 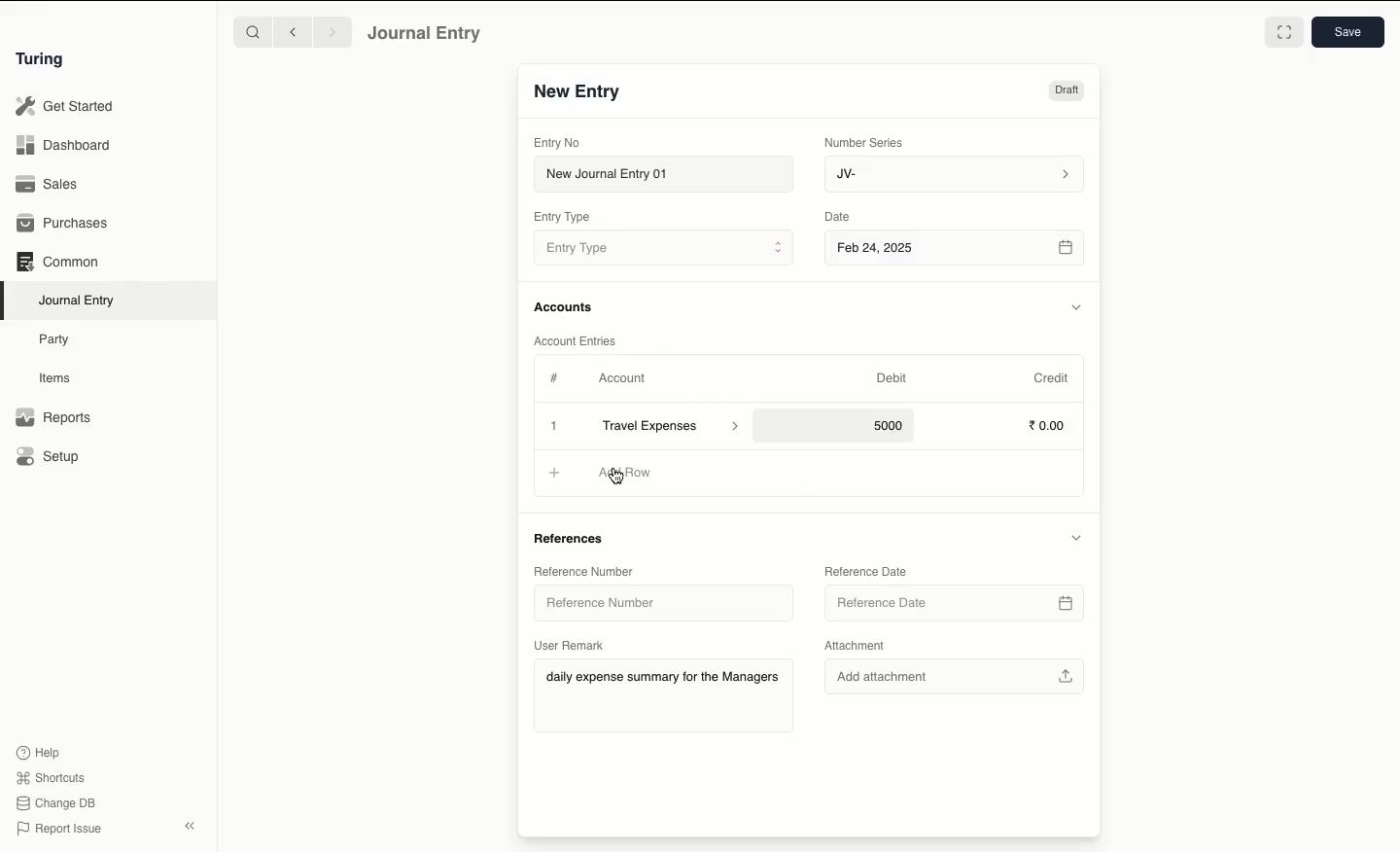 I want to click on Debit, so click(x=892, y=378).